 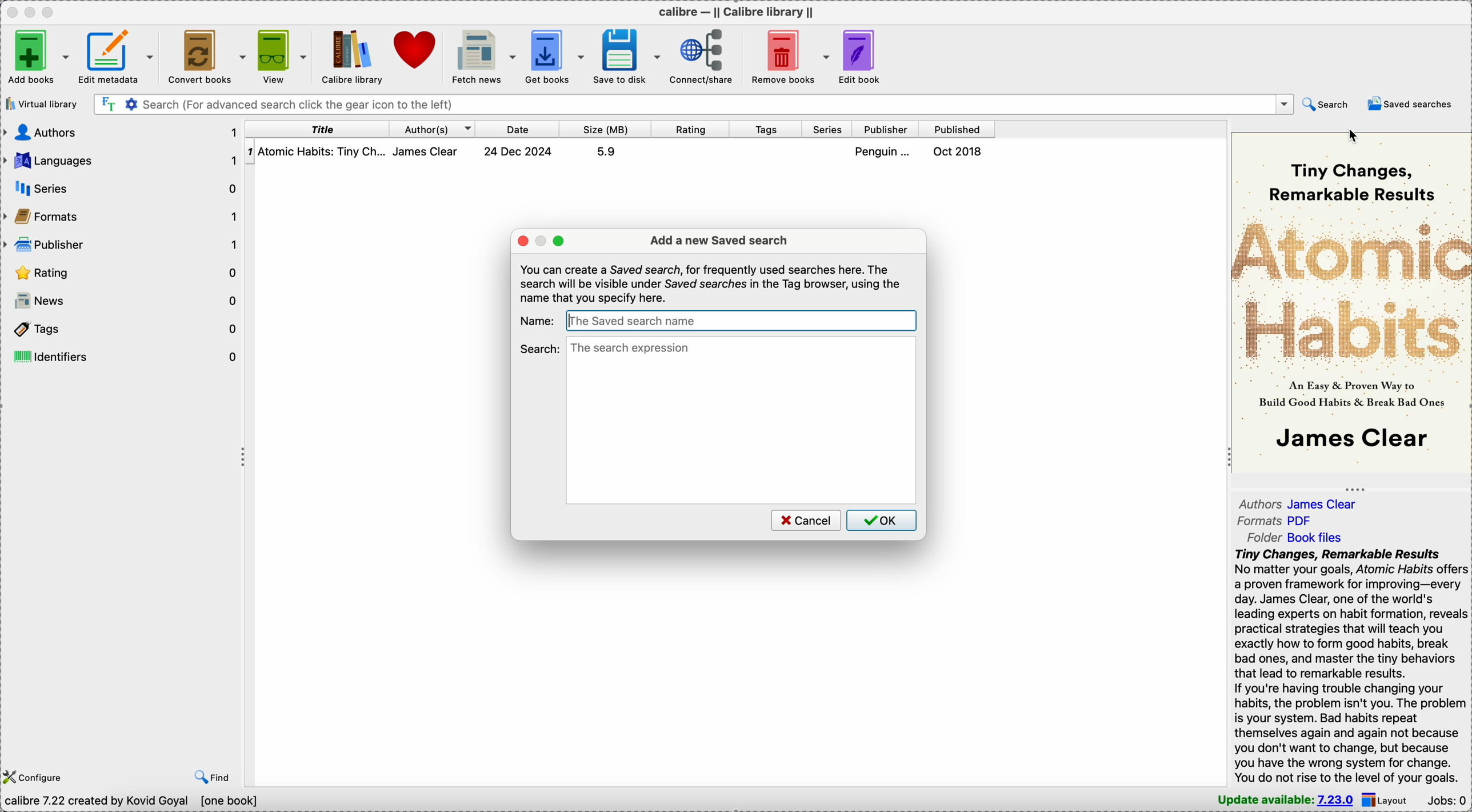 What do you see at coordinates (1355, 489) in the screenshot?
I see `toggle expand/contract` at bounding box center [1355, 489].